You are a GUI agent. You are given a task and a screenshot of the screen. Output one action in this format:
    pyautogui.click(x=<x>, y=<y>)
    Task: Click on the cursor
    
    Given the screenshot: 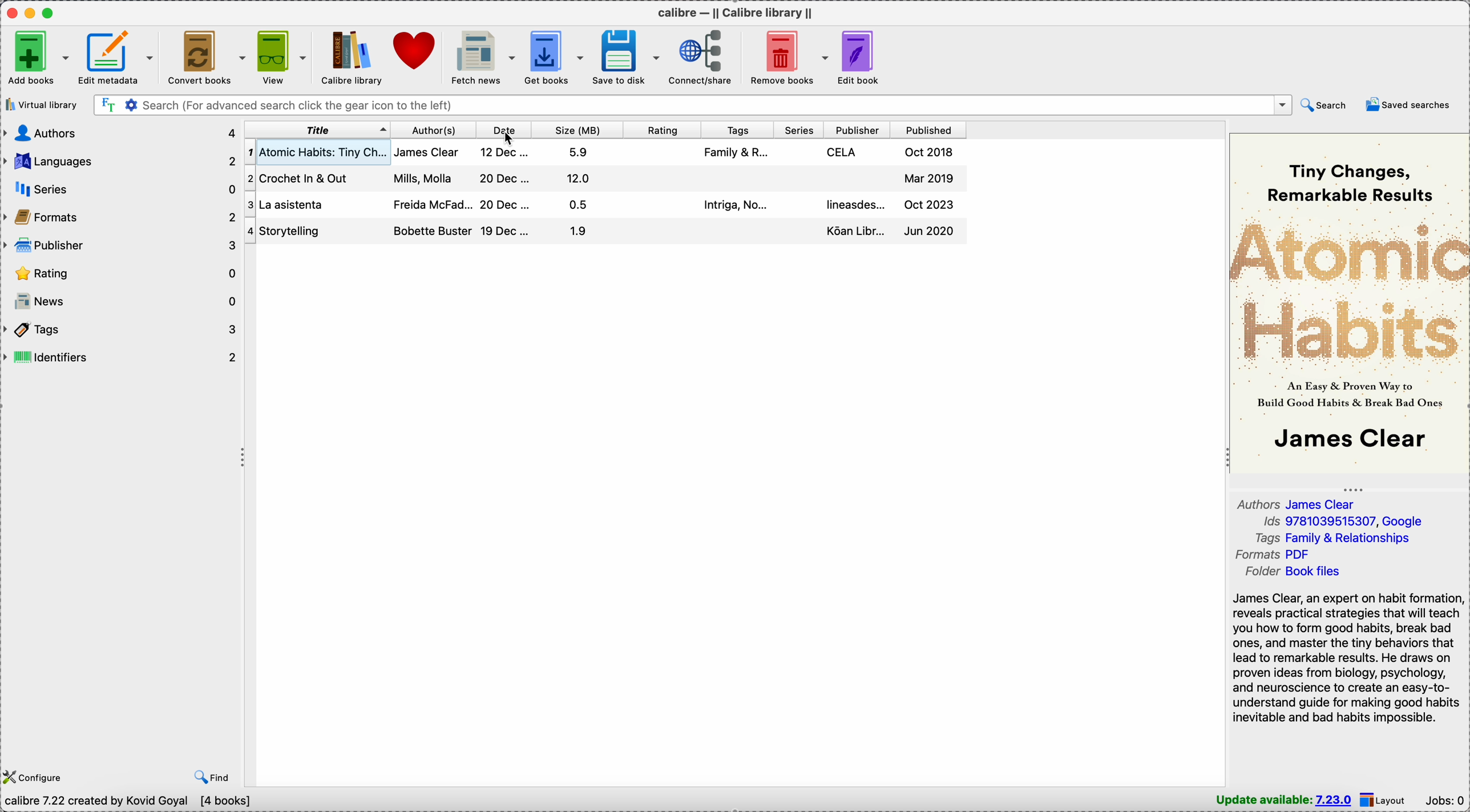 What is the action you would take?
    pyautogui.click(x=512, y=138)
    